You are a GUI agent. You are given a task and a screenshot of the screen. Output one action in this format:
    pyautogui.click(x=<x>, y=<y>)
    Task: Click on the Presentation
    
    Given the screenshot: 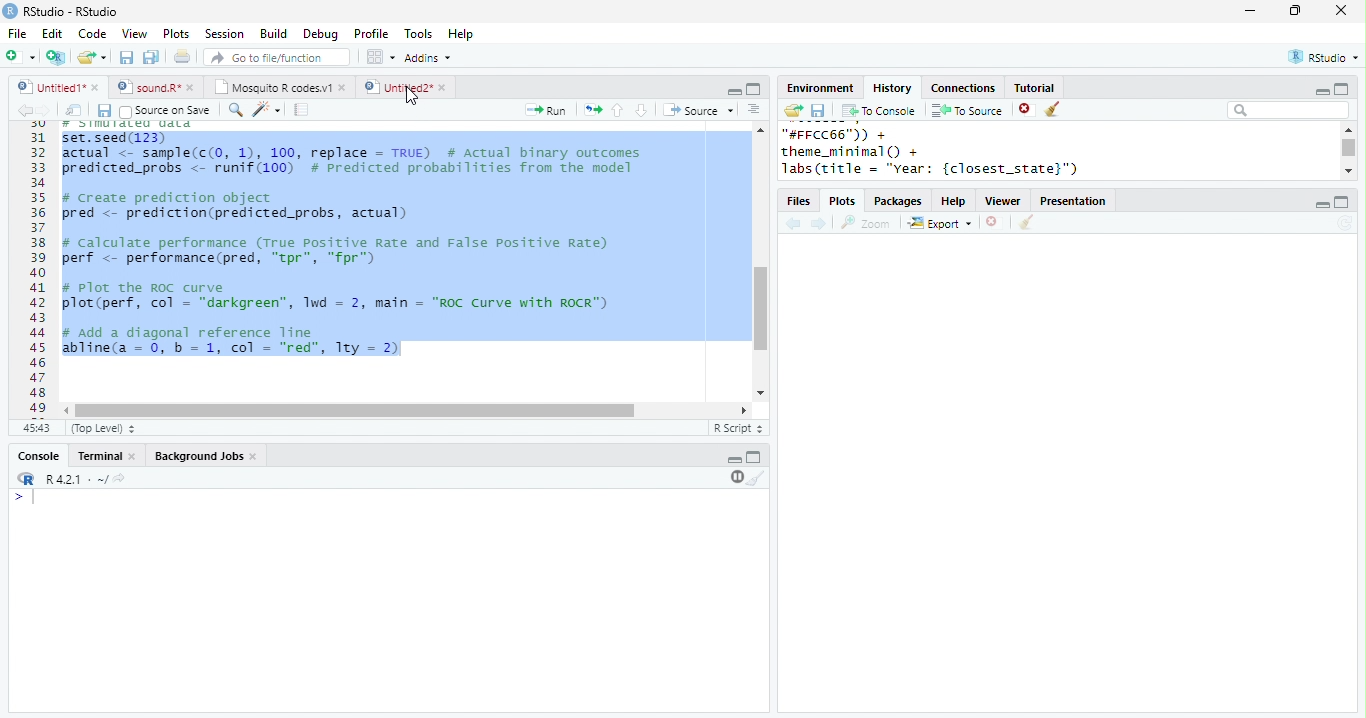 What is the action you would take?
    pyautogui.click(x=1073, y=201)
    